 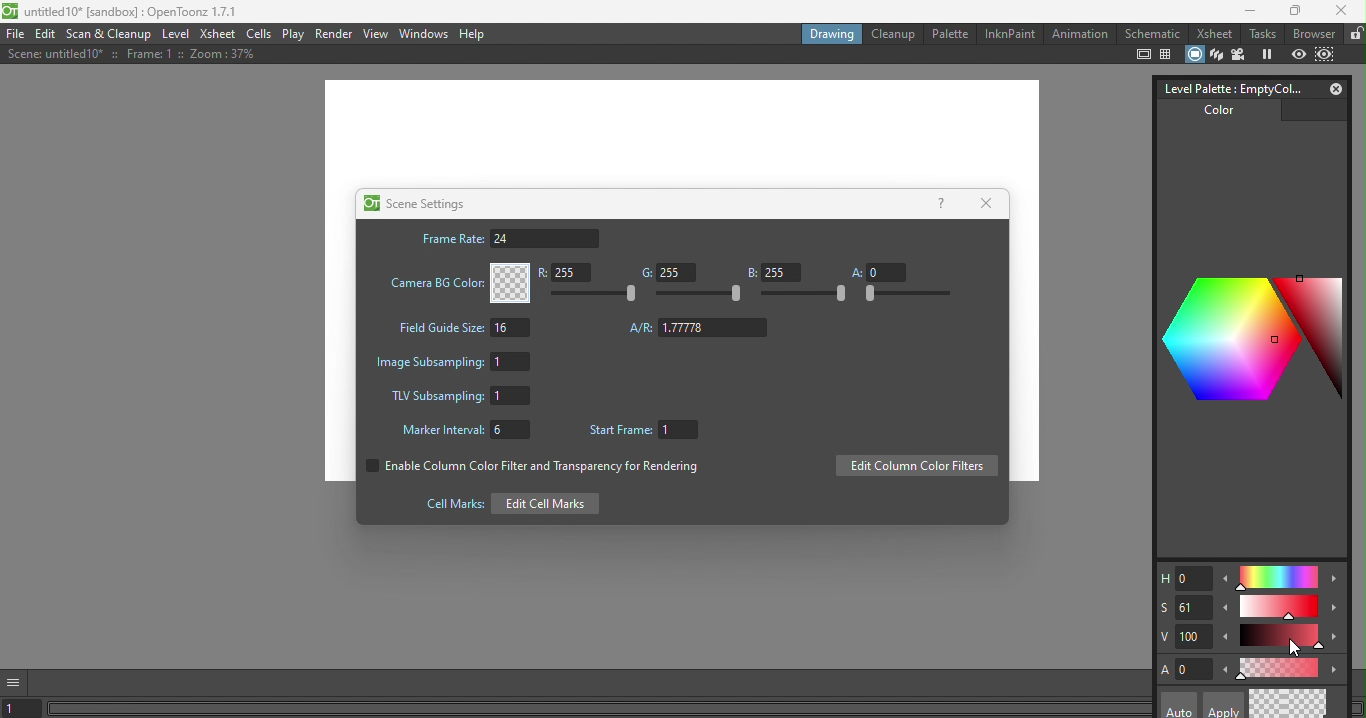 What do you see at coordinates (1337, 670) in the screenshot?
I see `Increase` at bounding box center [1337, 670].